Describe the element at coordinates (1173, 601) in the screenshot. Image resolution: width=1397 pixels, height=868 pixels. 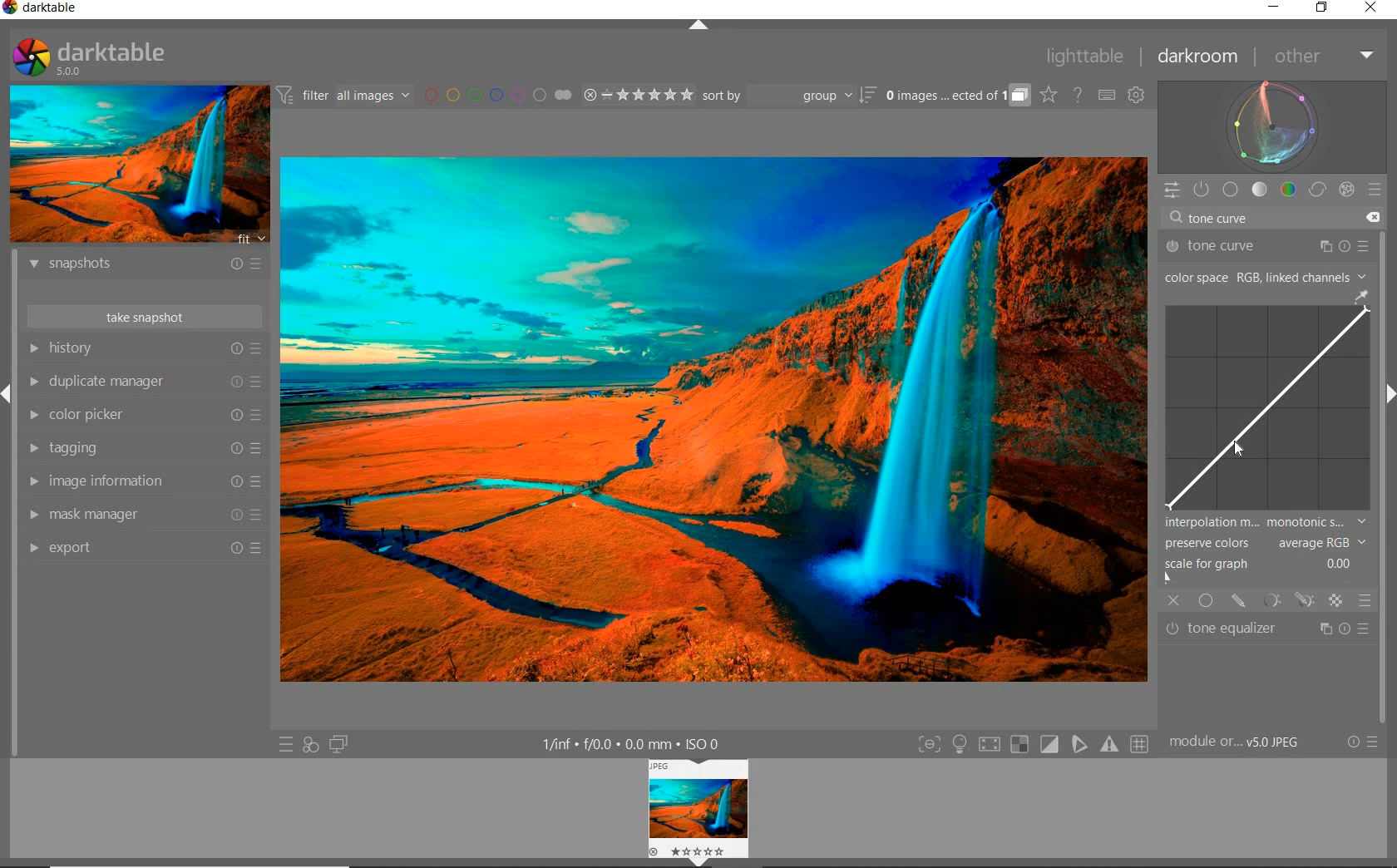
I see `OFF` at that location.